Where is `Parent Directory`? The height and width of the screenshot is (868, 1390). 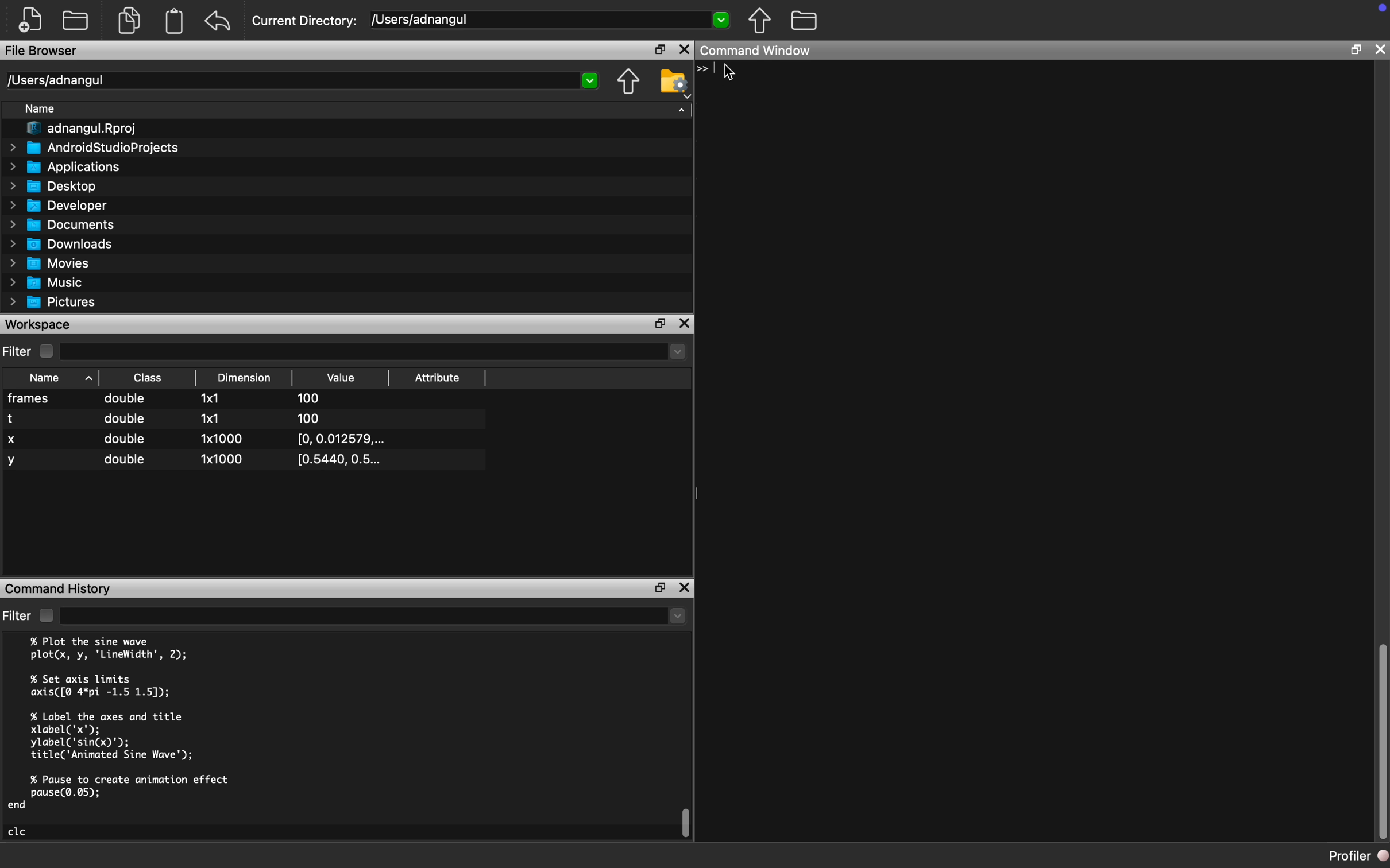 Parent Directory is located at coordinates (628, 83).